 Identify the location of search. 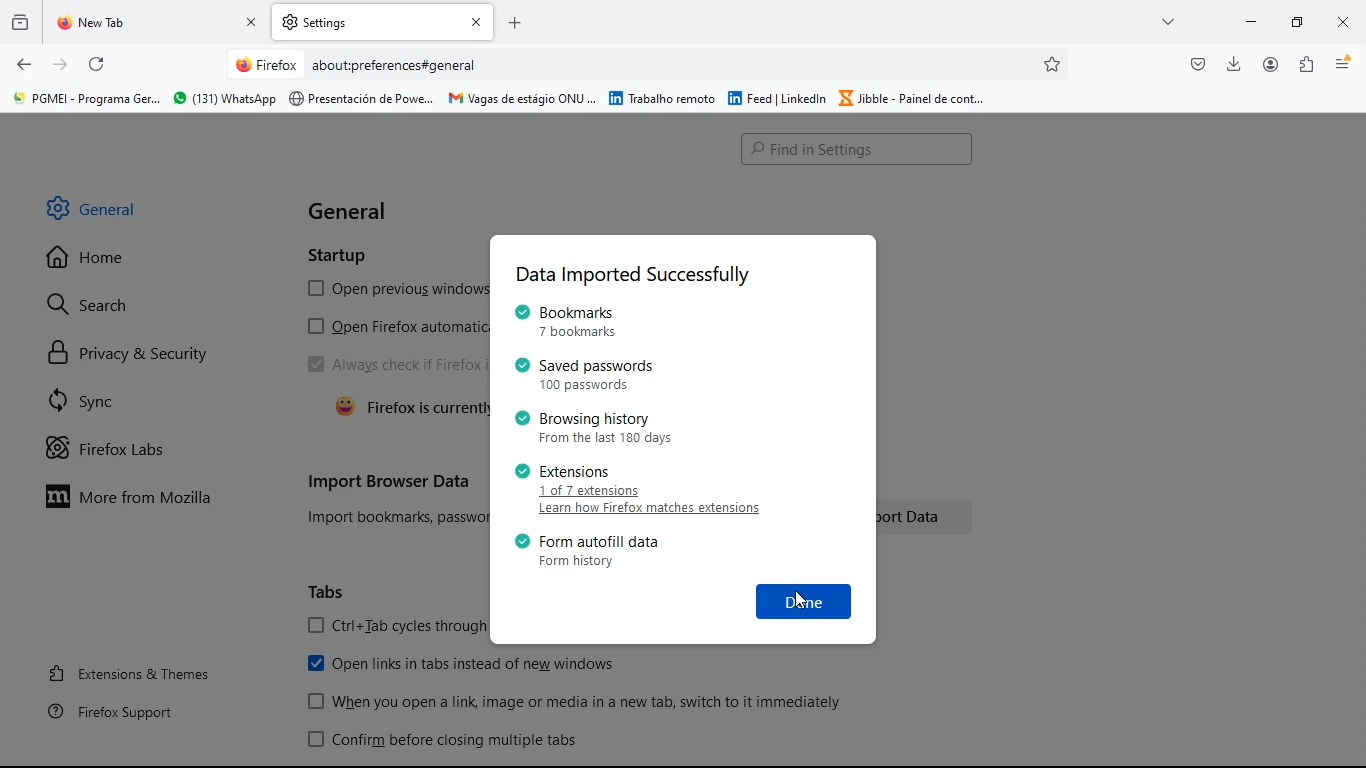
(93, 307).